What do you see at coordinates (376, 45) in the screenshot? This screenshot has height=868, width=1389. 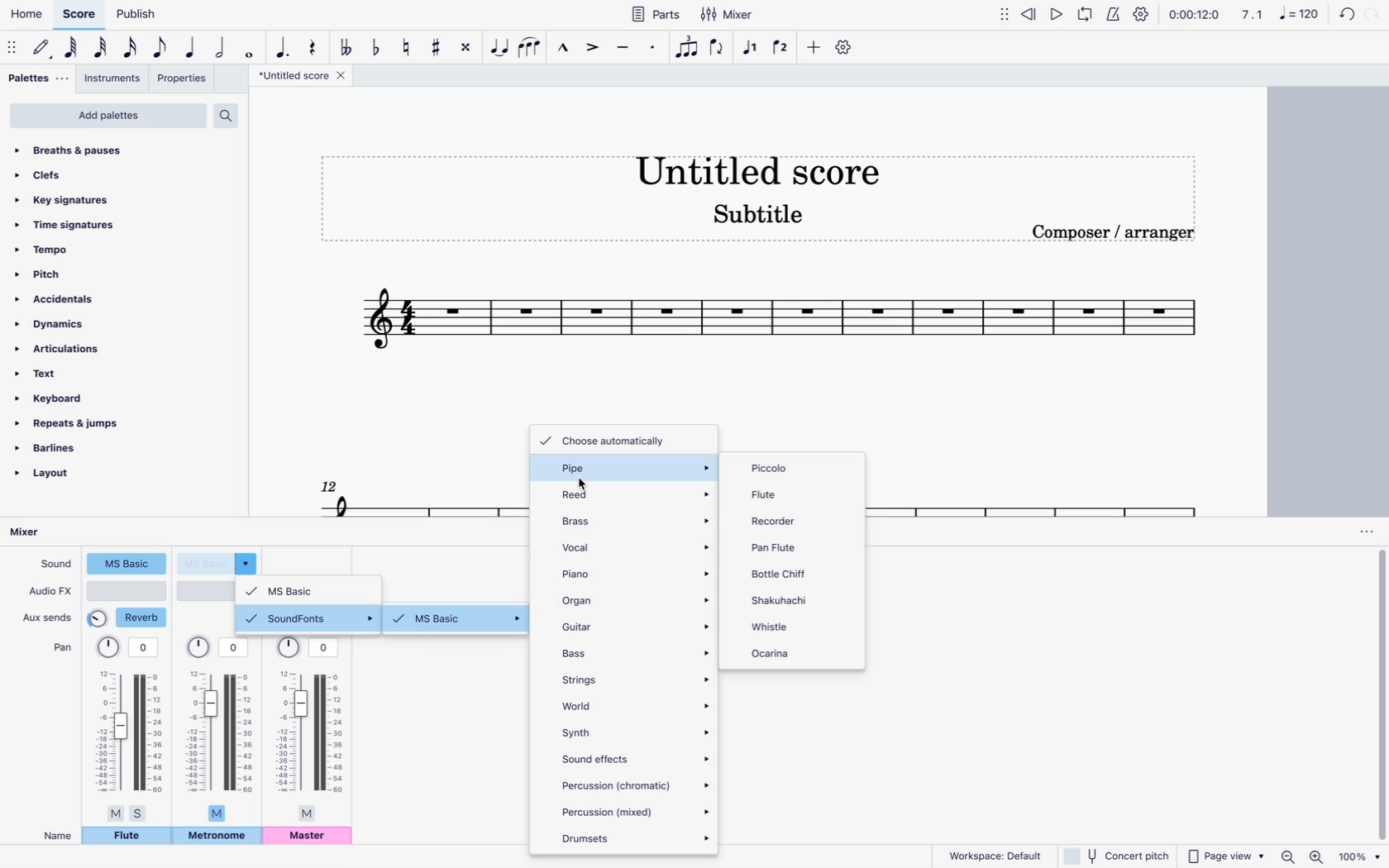 I see `toggle flat` at bounding box center [376, 45].